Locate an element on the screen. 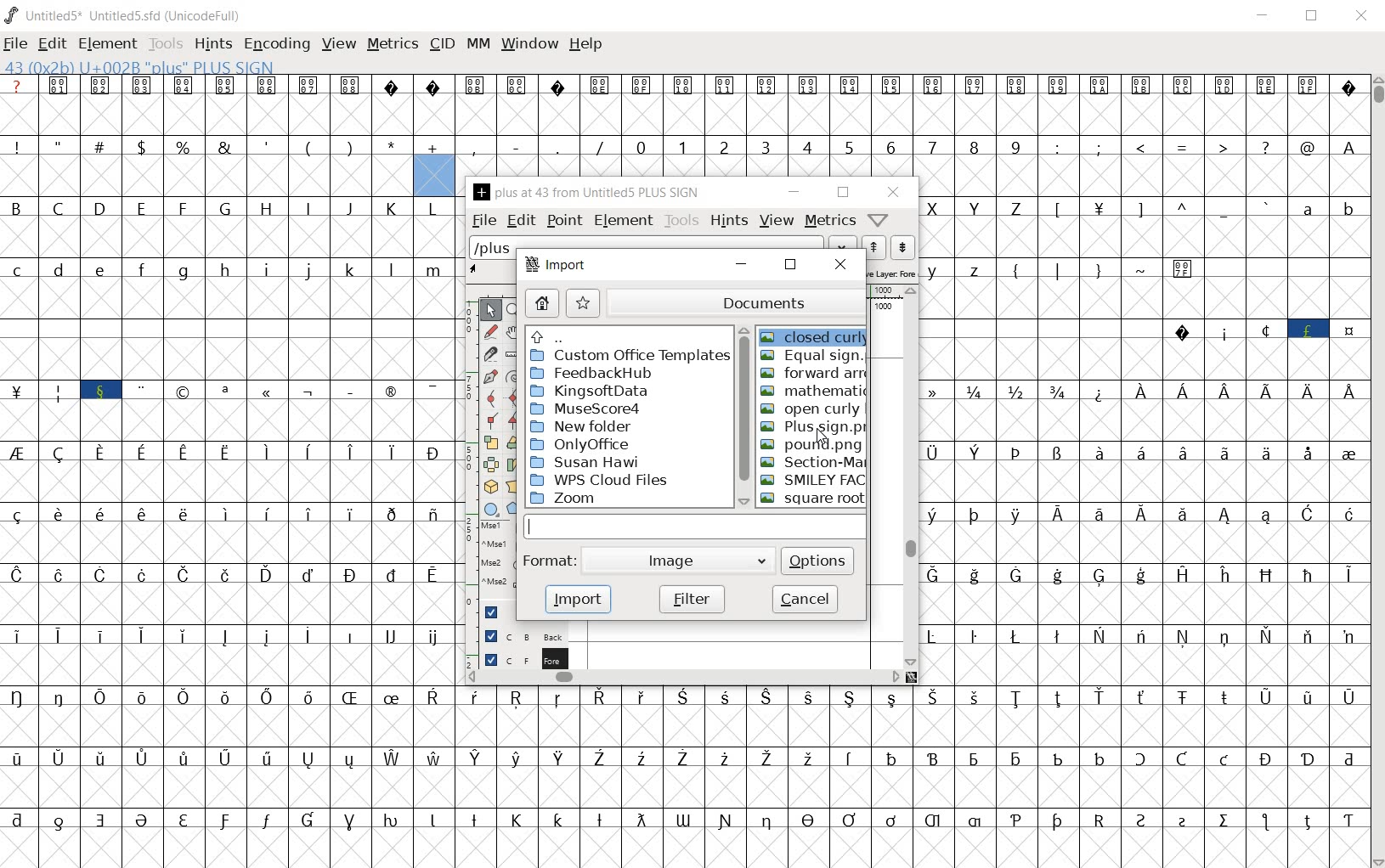 The width and height of the screenshot is (1385, 868). Latin extended characters is located at coordinates (248, 531).